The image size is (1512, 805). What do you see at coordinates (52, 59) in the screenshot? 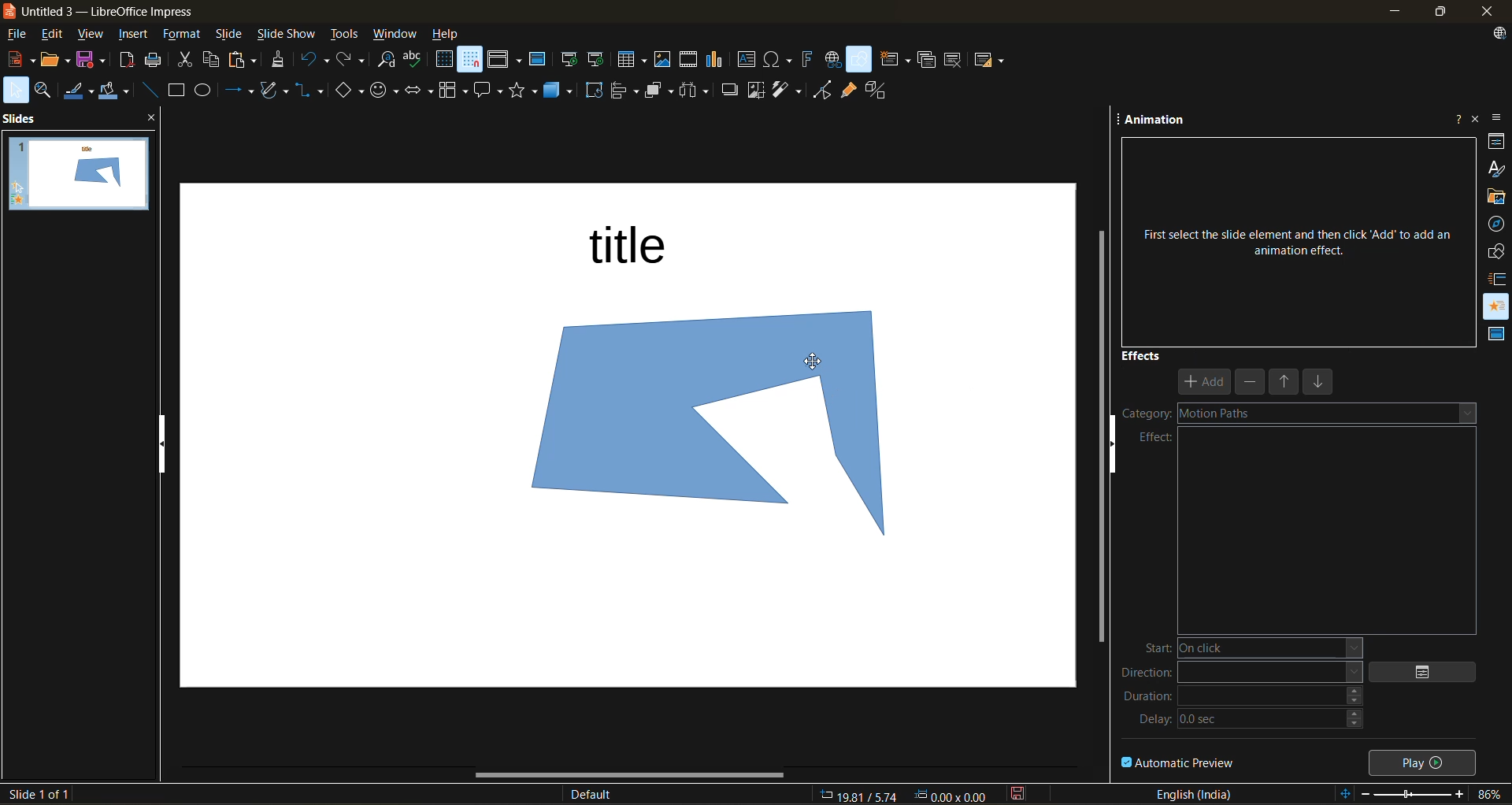
I see `open` at bounding box center [52, 59].